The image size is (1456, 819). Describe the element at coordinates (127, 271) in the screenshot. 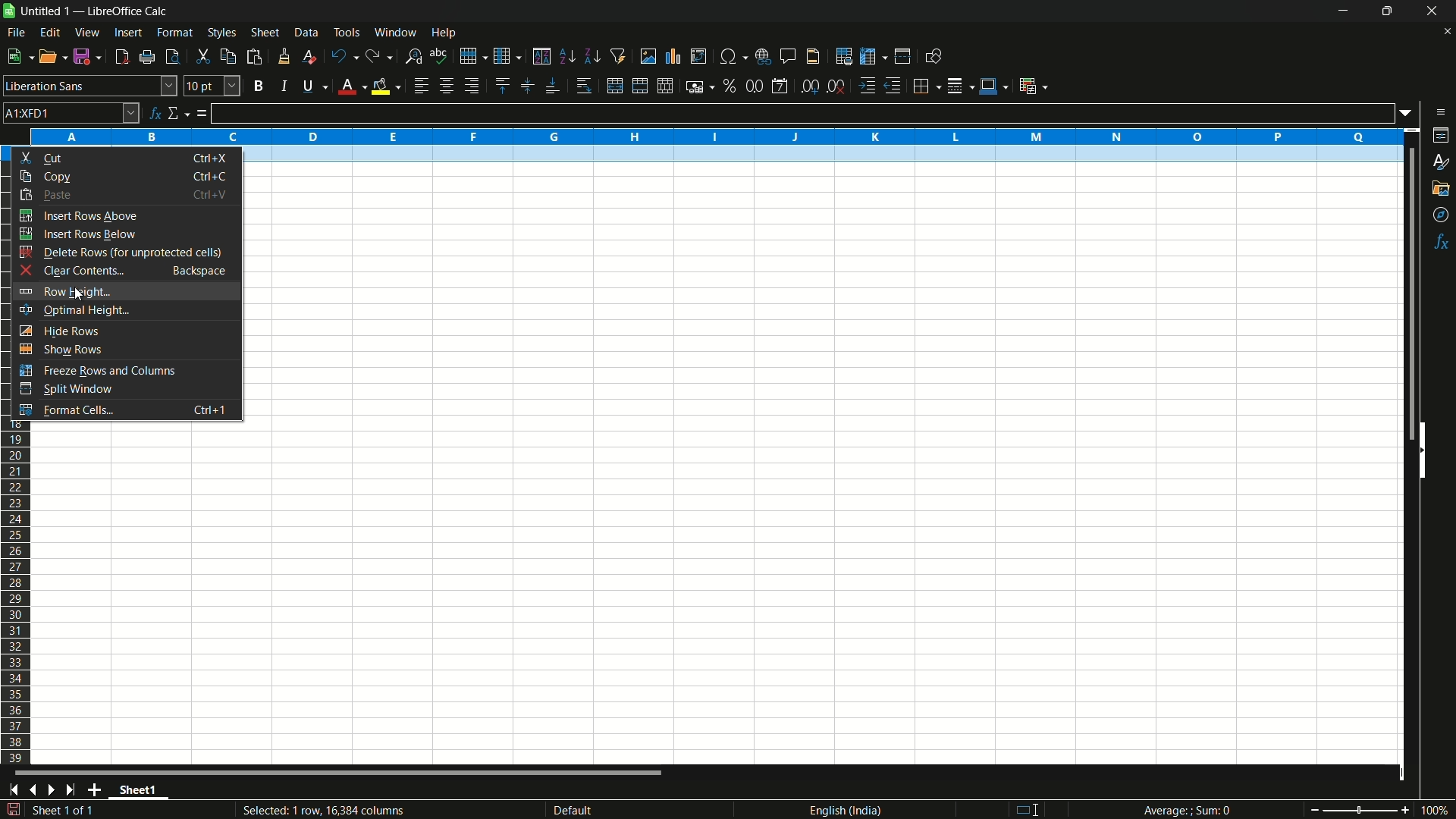

I see `clear contents` at that location.